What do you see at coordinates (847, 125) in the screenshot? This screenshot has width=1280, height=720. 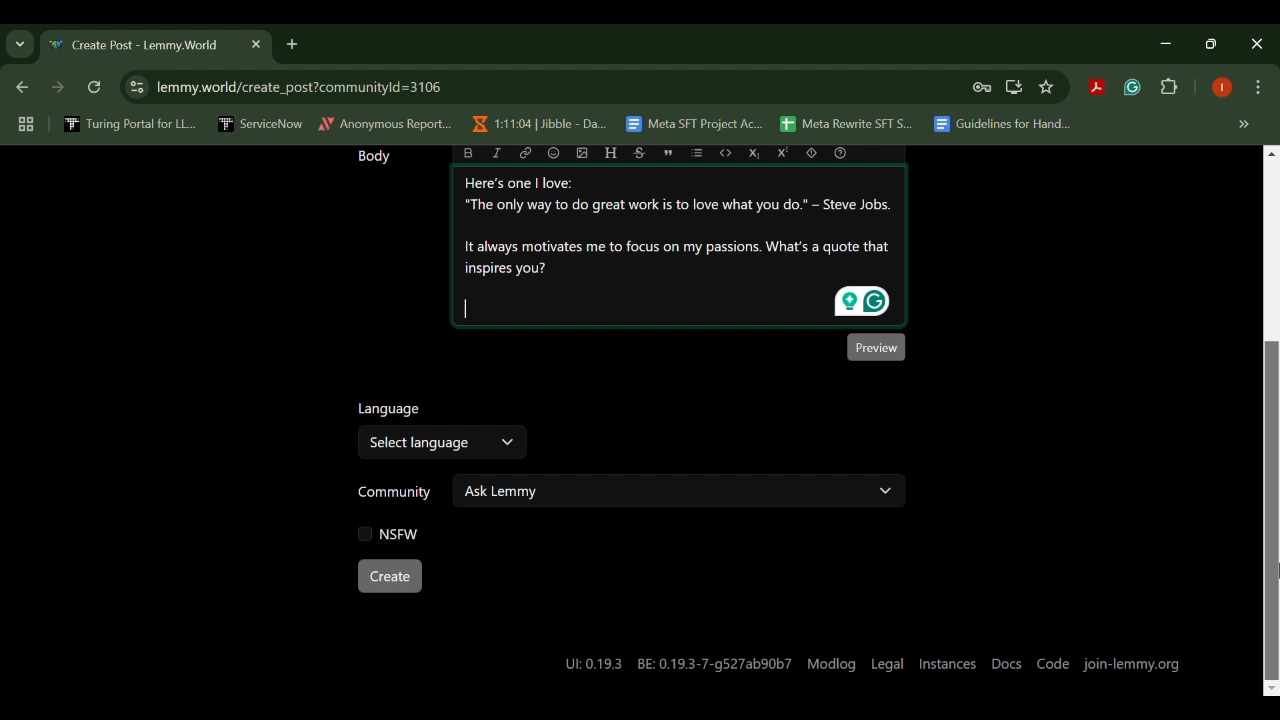 I see `Meta Rewrite SFT S...` at bounding box center [847, 125].